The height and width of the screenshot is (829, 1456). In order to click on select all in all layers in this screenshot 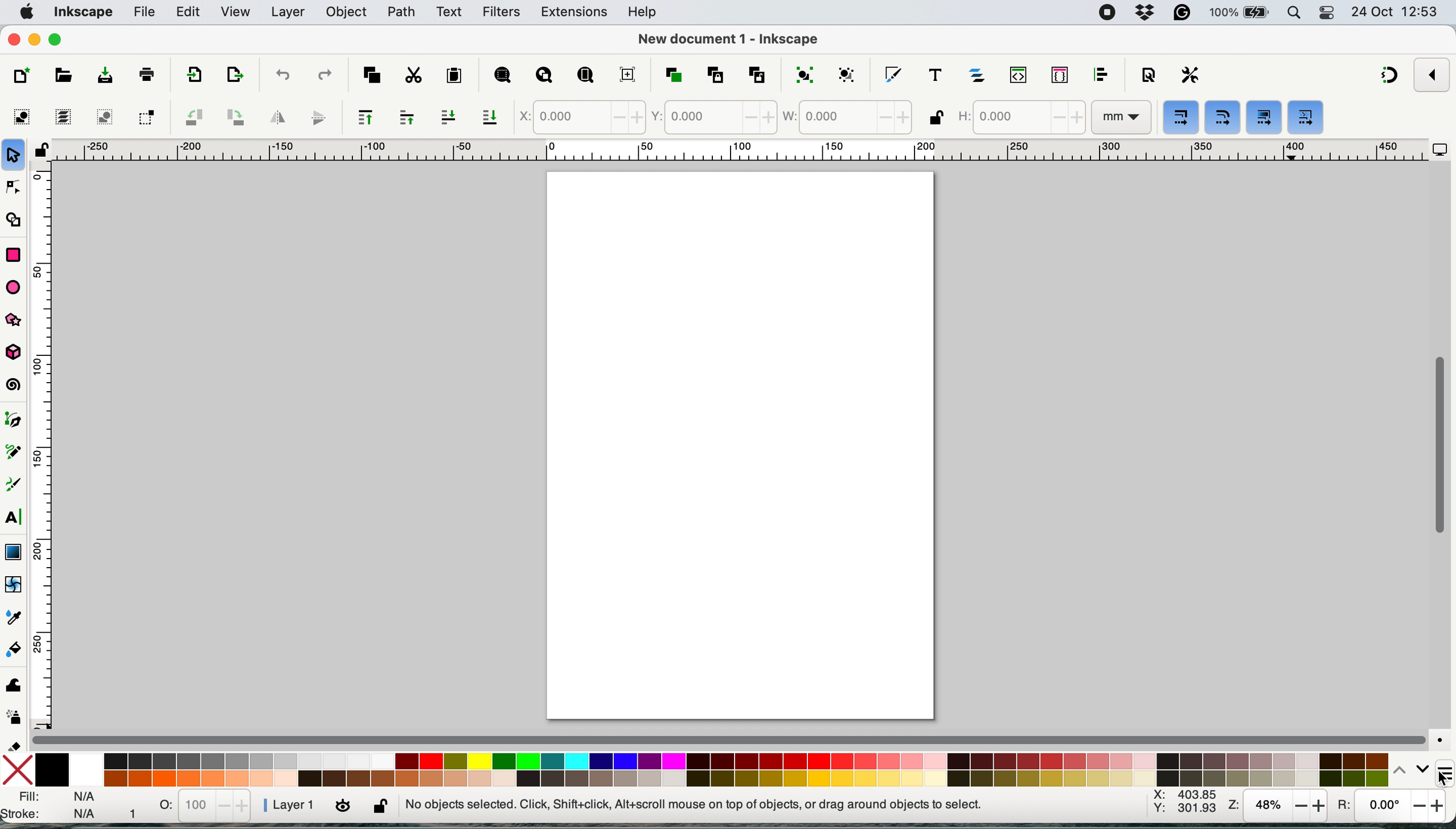, I will do `click(61, 117)`.